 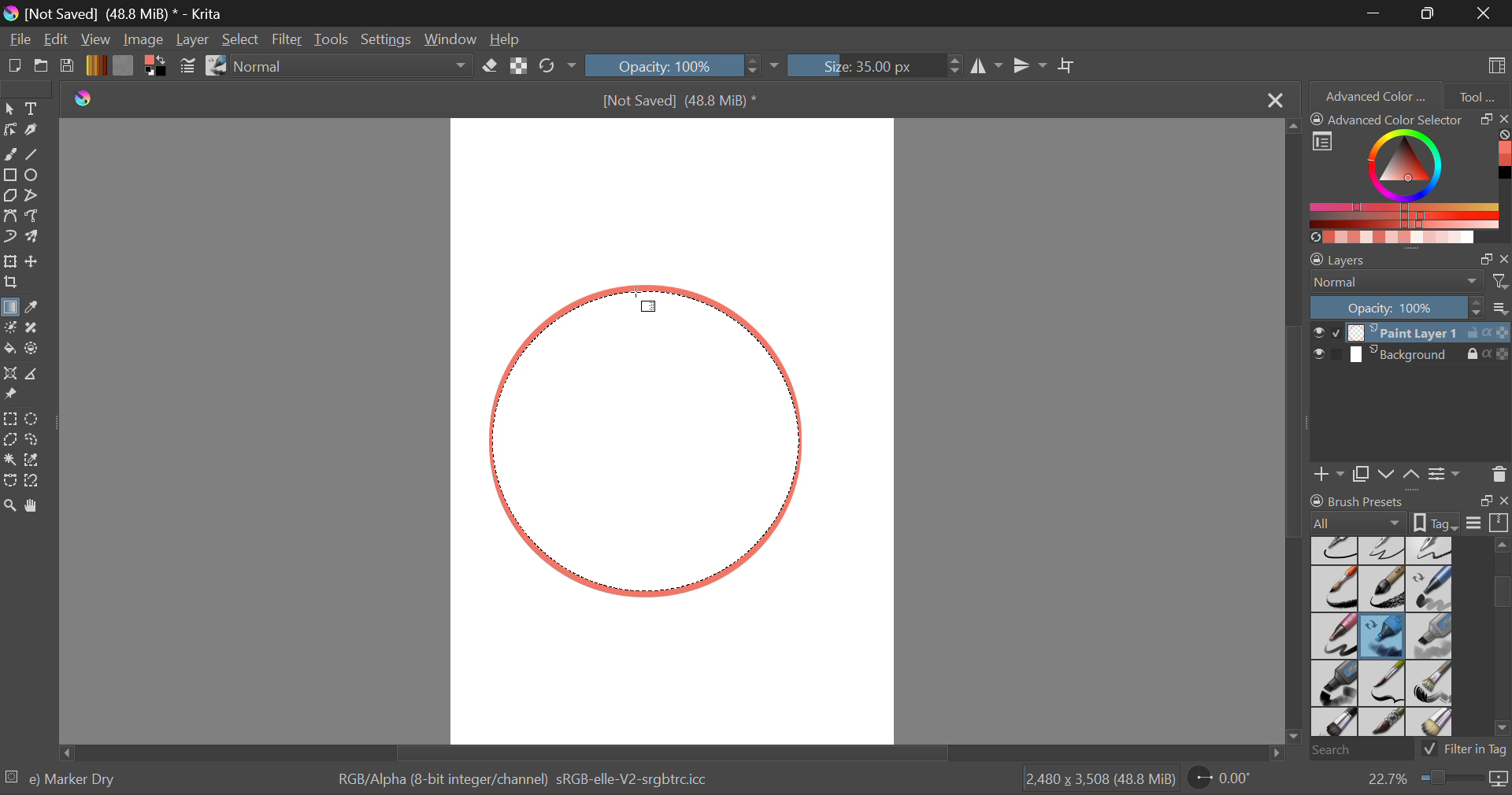 What do you see at coordinates (675, 103) in the screenshot?
I see `[Not Saved] (48.8 MiB) *` at bounding box center [675, 103].